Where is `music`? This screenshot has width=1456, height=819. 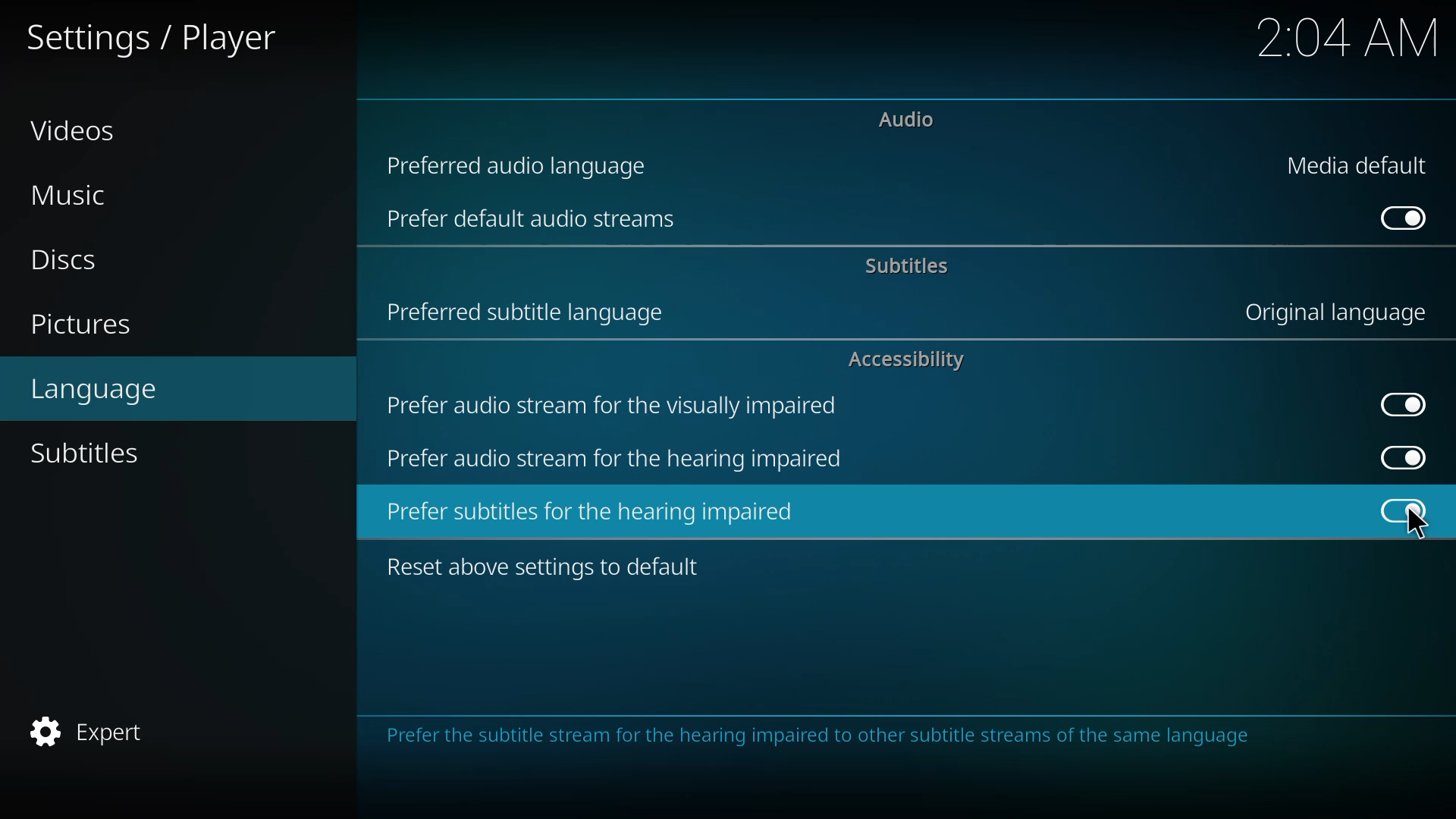 music is located at coordinates (73, 194).